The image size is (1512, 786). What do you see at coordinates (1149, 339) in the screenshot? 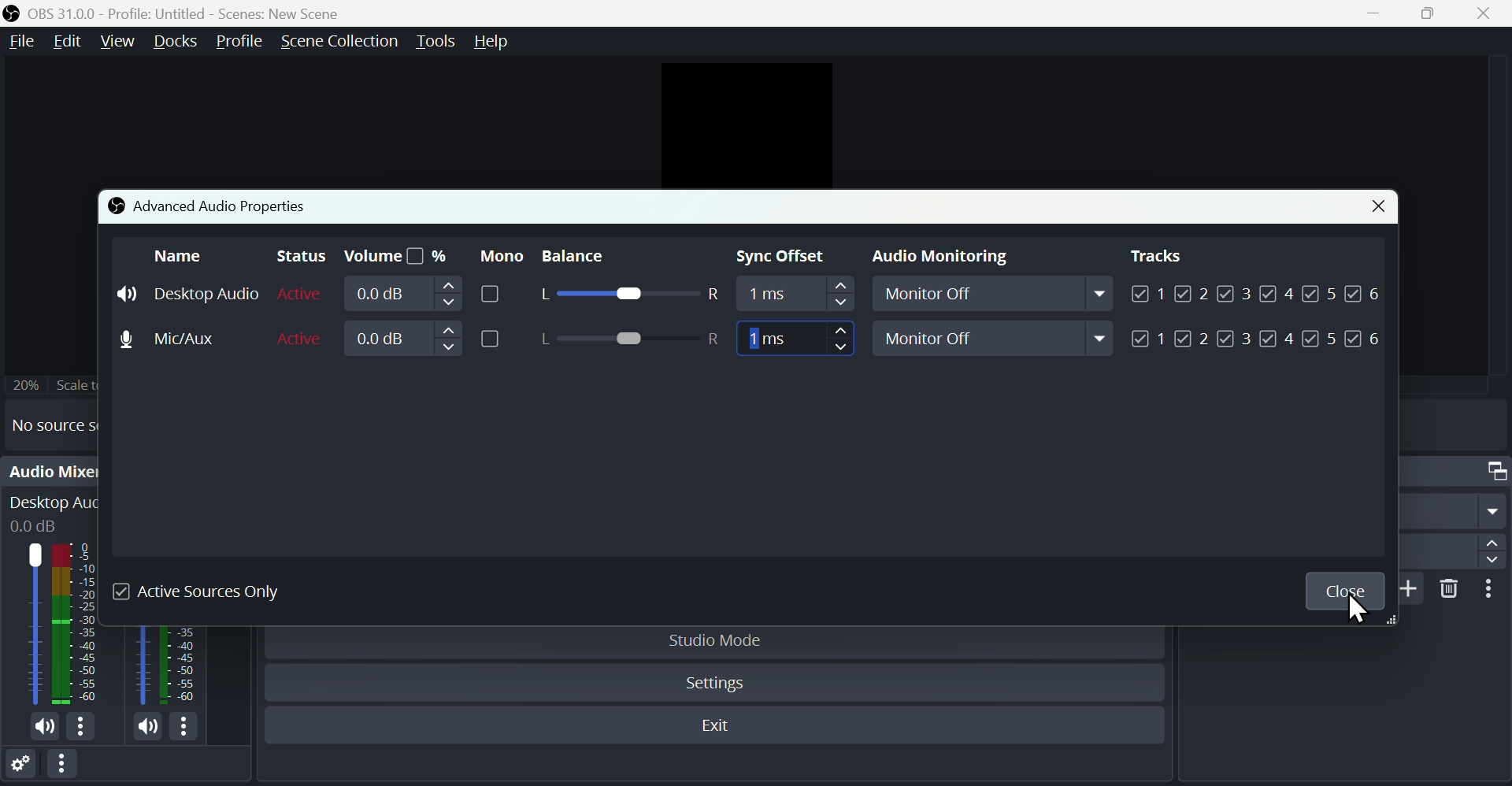
I see `(un)check Track 1` at bounding box center [1149, 339].